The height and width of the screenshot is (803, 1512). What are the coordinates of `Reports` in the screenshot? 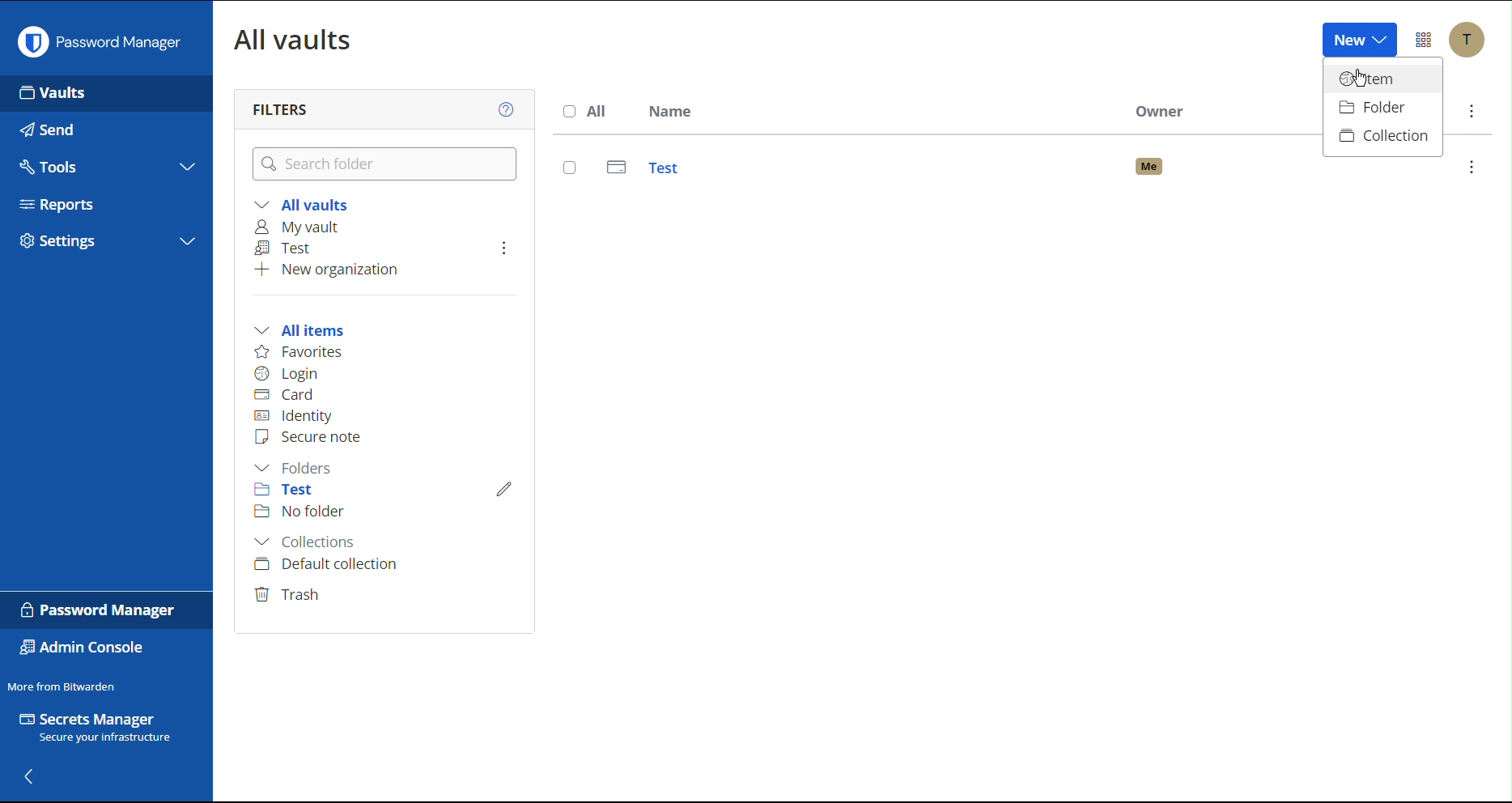 It's located at (107, 200).